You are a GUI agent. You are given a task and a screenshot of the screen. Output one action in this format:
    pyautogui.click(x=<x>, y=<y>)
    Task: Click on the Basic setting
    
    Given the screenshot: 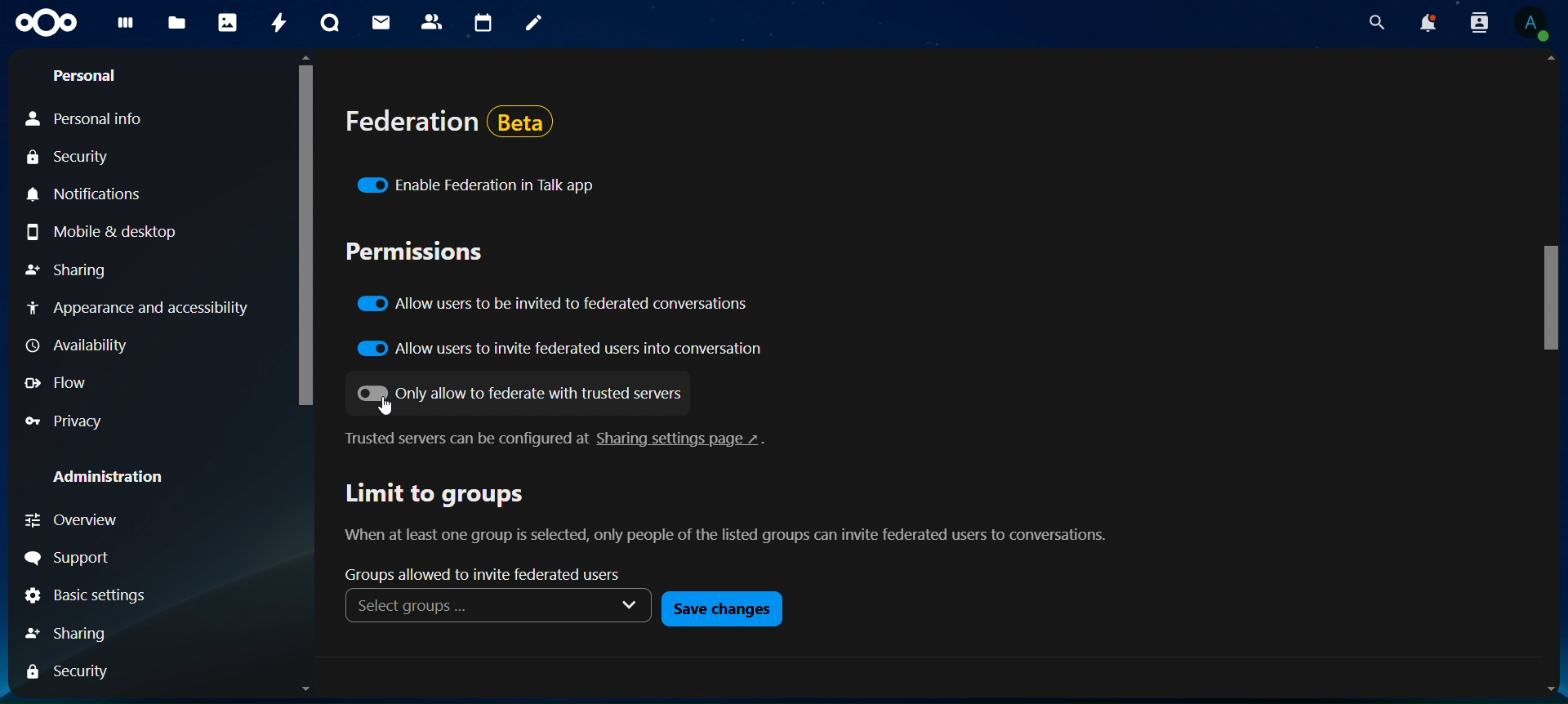 What is the action you would take?
    pyautogui.click(x=91, y=595)
    